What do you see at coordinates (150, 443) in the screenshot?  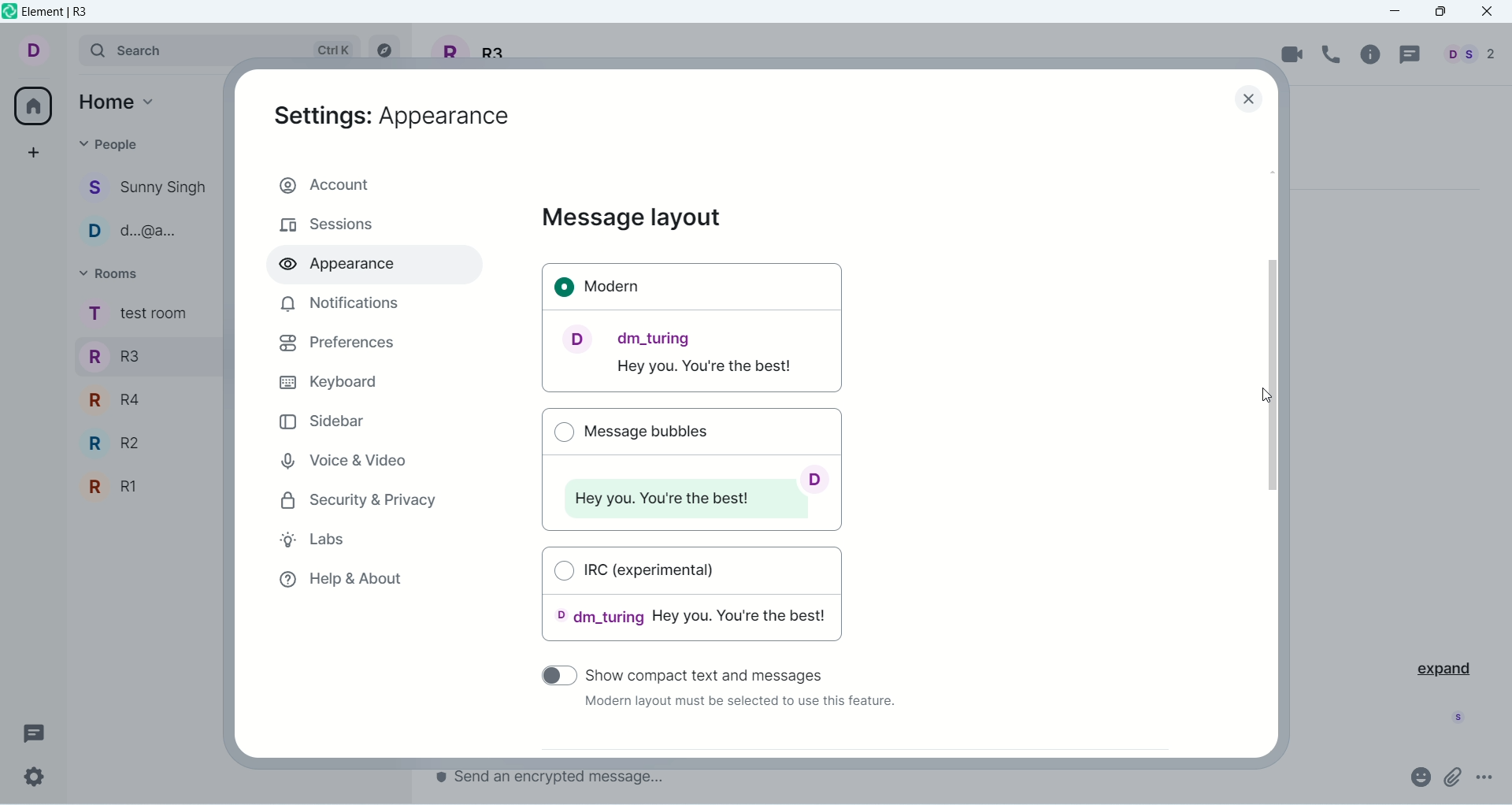 I see `R2` at bounding box center [150, 443].